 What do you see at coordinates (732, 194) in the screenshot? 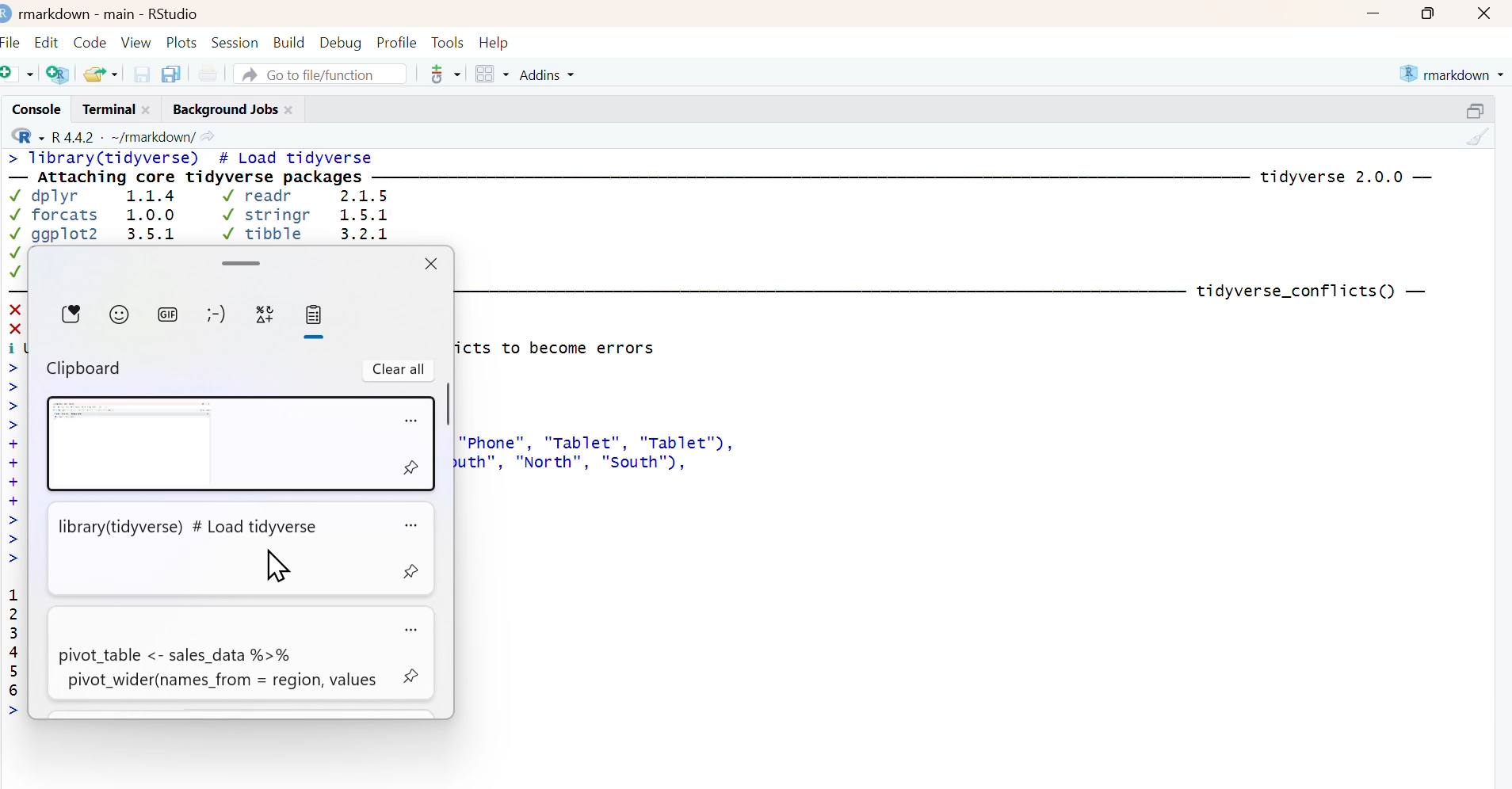
I see `> Tibrary(tidyverse) # Load tidyverse— Attaching core tidyverse packages —m7m7mm— —————————_______ tidyverse 2.0.0 —Vv dplyr 1.1.4 Vv readr 2.1.5v forcats 1.0.0 Vv stringr 1.5.1Vv ggplot2 3.5.1 Vv tibble 3.2.1Vv Tlubridate 1.9.4 Vv tidyr 1.3.1Vv purrr 1.0.4— conflicts ——M8M8M¥ — WM —  ___———————————— tidyverse_conflicts() —X dplyr::filter() masks stats::filter()X dplyr::lagQ) masks stats::lagQ)i Use the conflicted package to force all conflicts to become errors>>> # Sample sales datasetsales_data <- data.frame(product = c("Laptop”, "Laptop", "Phone", "Phone", "Tablet", "Tablet"),region = c("North", "South", "North", "south", "North", "south"),sales = c(500, 600, 300, 400, 200, 250)d)# Print datasetprint(sales_data)` at bounding box center [732, 194].